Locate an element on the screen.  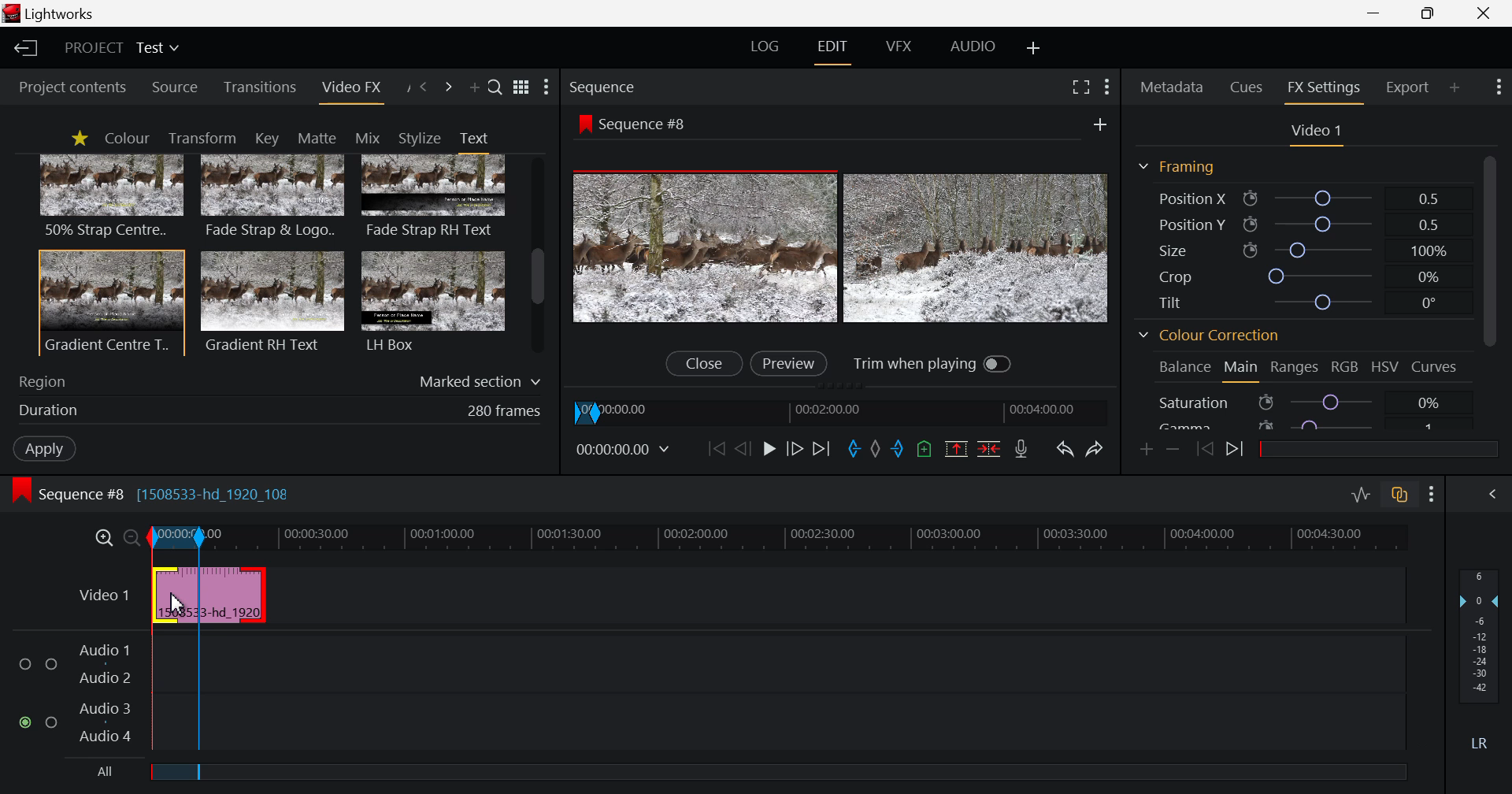
Position X is located at coordinates (1296, 199).